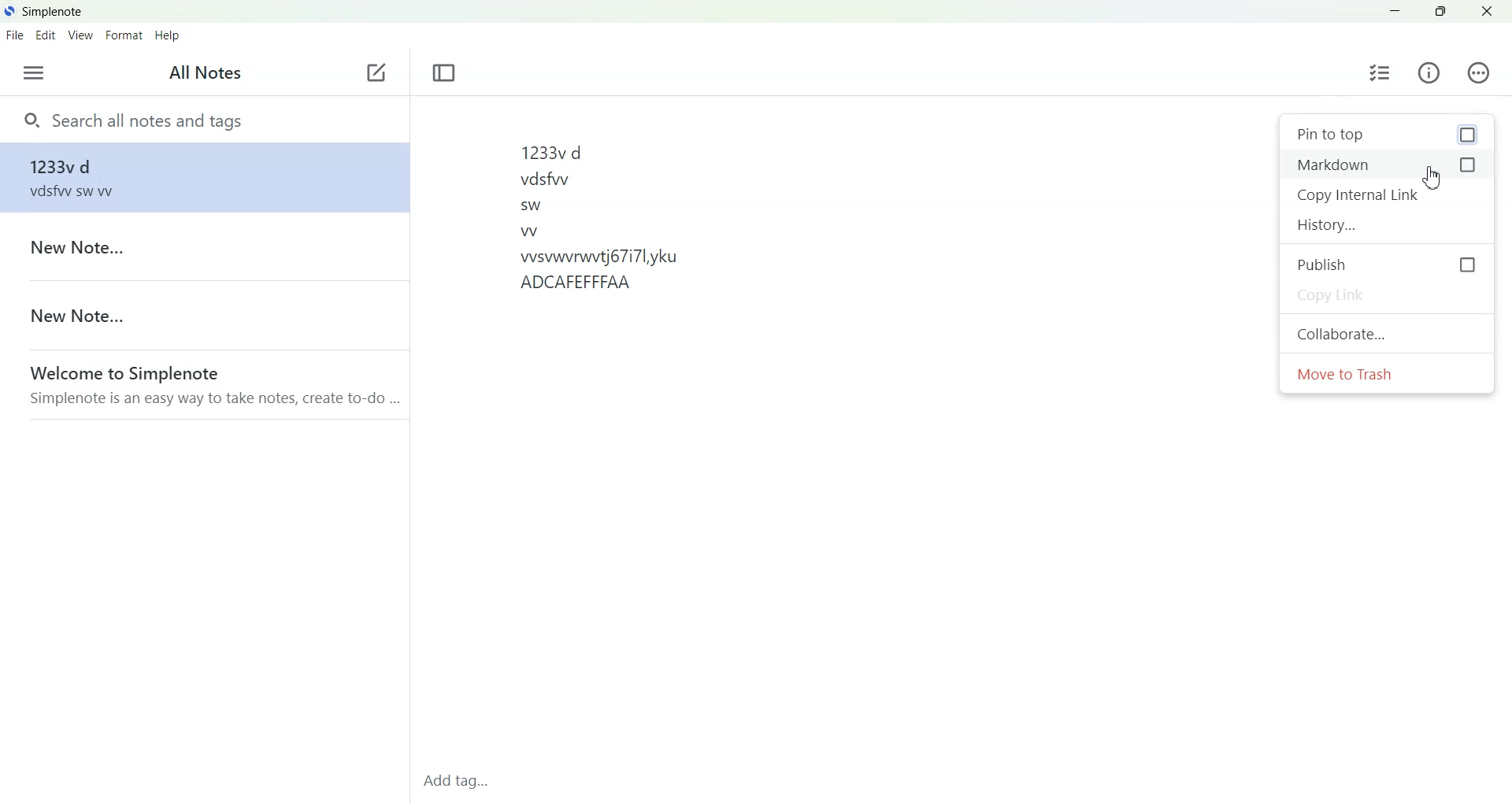 The image size is (1512, 803). Describe the element at coordinates (1396, 12) in the screenshot. I see `Minimize` at that location.